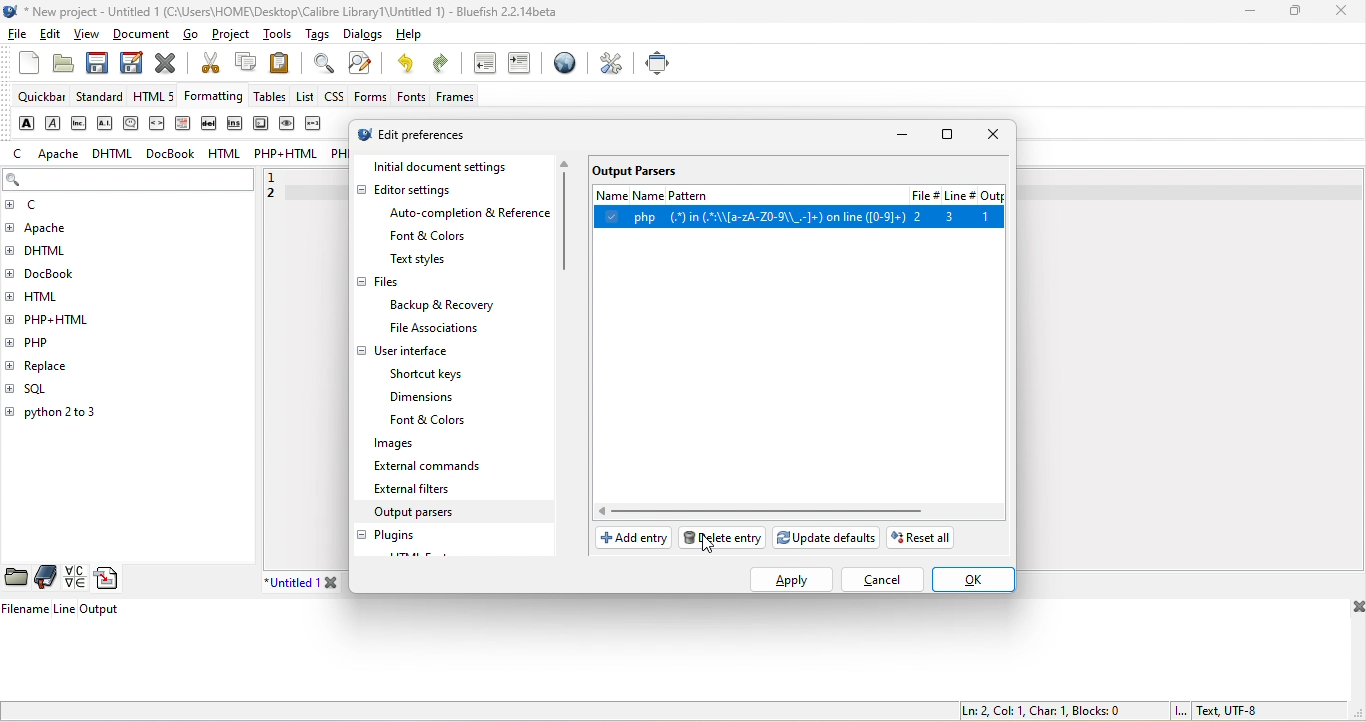 The width and height of the screenshot is (1366, 722). Describe the element at coordinates (73, 415) in the screenshot. I see `python 2 to 3` at that location.